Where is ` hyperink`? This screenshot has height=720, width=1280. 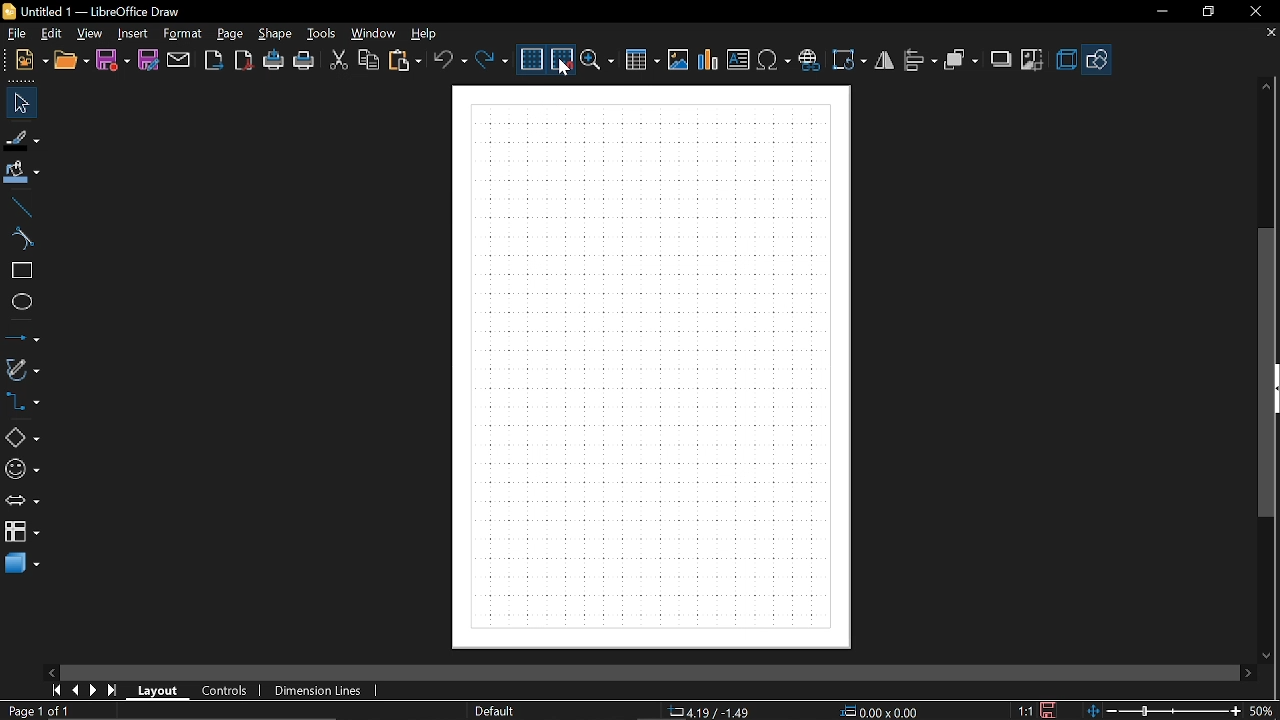
 hyperink is located at coordinates (809, 58).